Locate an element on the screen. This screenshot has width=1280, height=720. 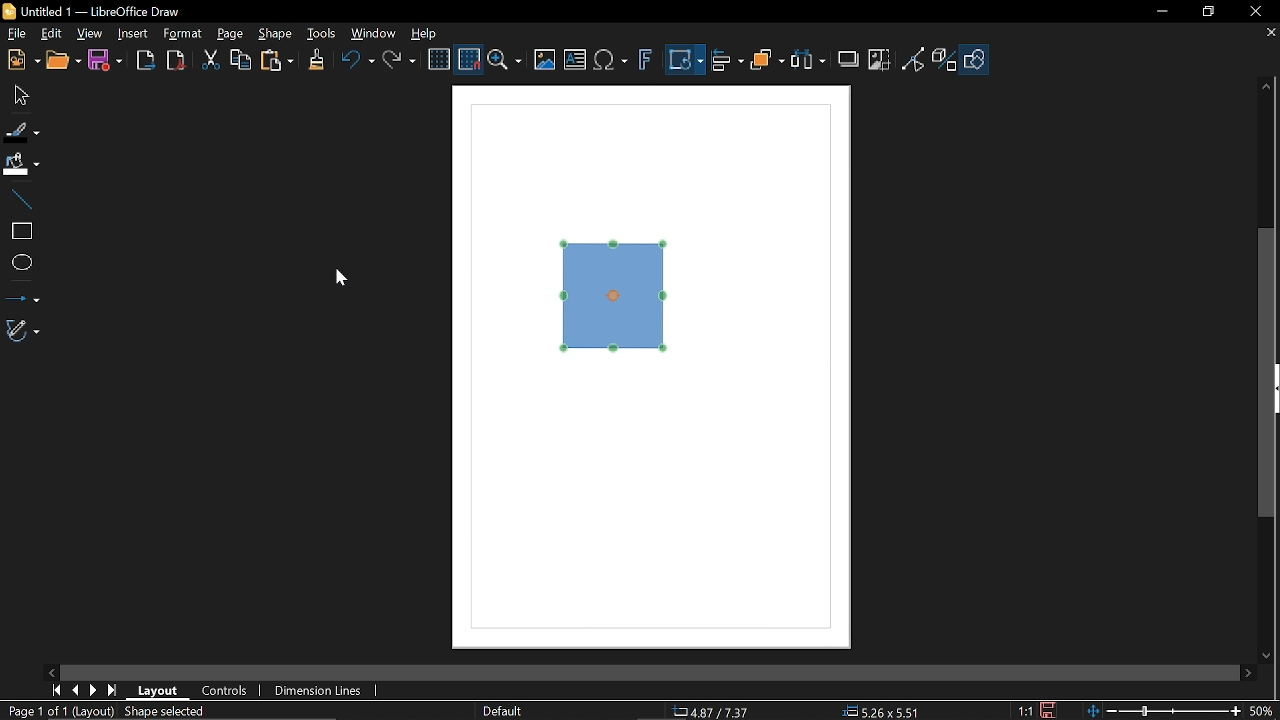
Vertical scrollbar is located at coordinates (1270, 375).